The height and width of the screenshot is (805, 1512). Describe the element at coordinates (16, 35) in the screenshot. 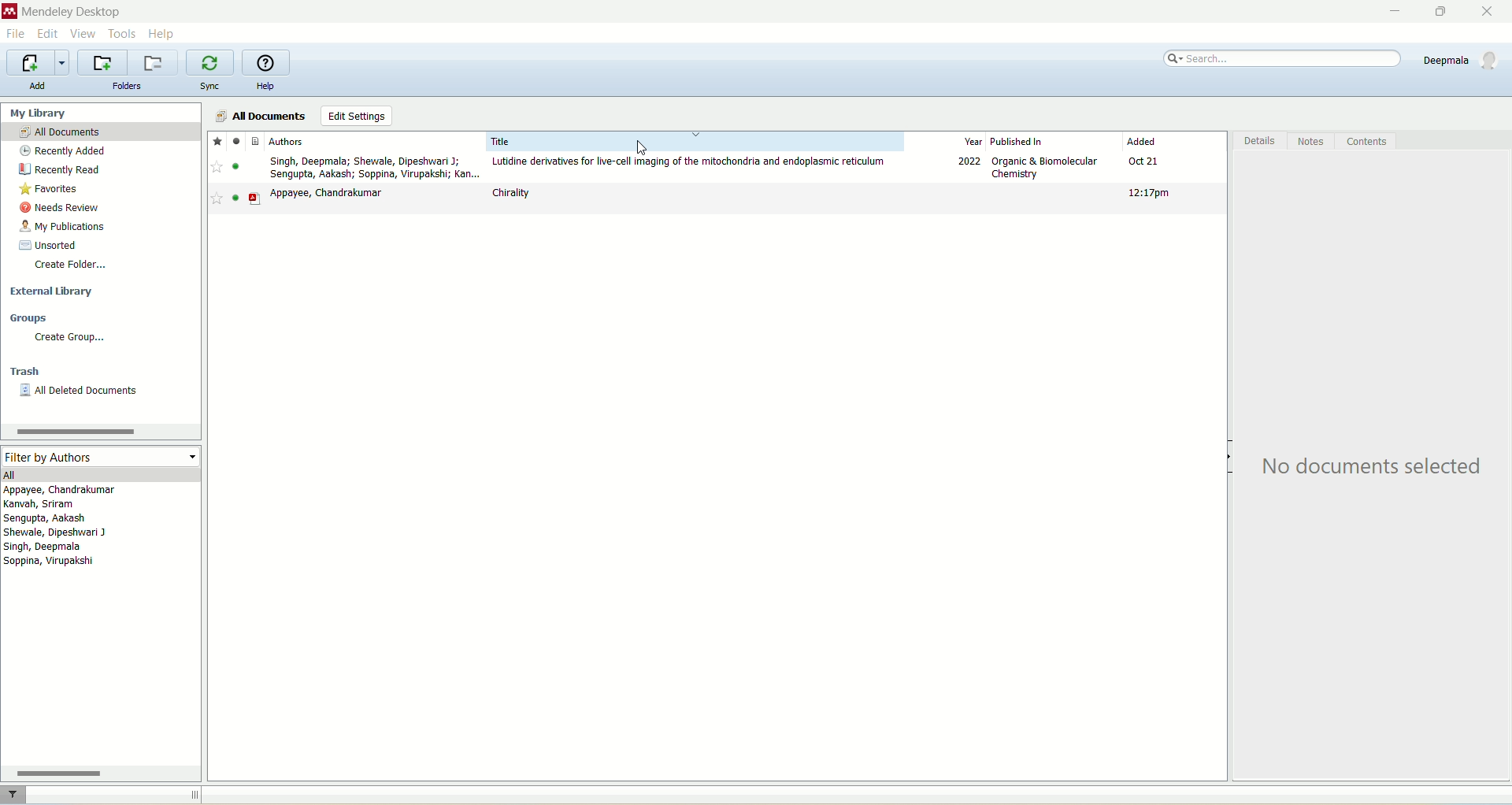

I see `file` at that location.